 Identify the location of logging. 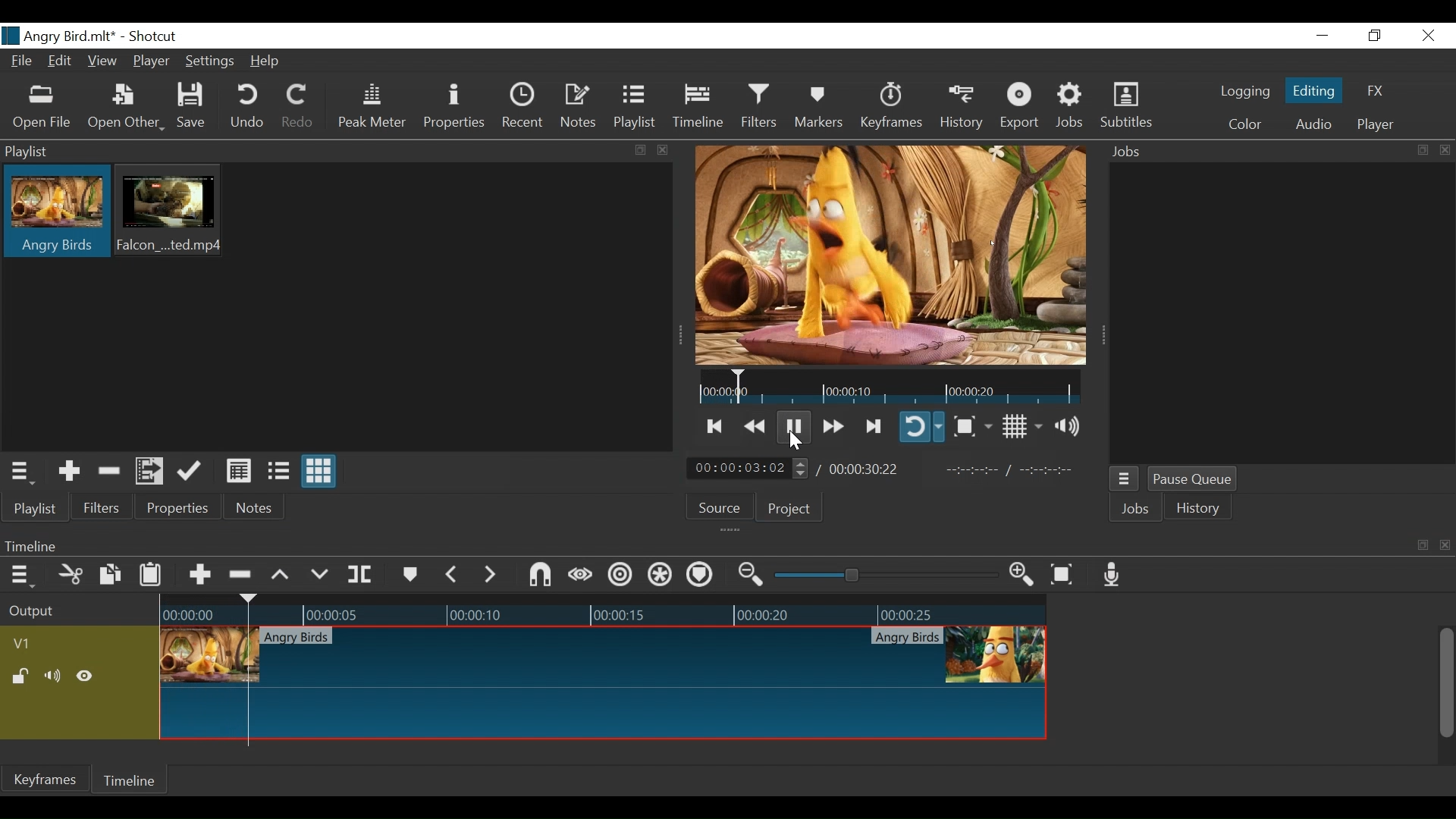
(1245, 93).